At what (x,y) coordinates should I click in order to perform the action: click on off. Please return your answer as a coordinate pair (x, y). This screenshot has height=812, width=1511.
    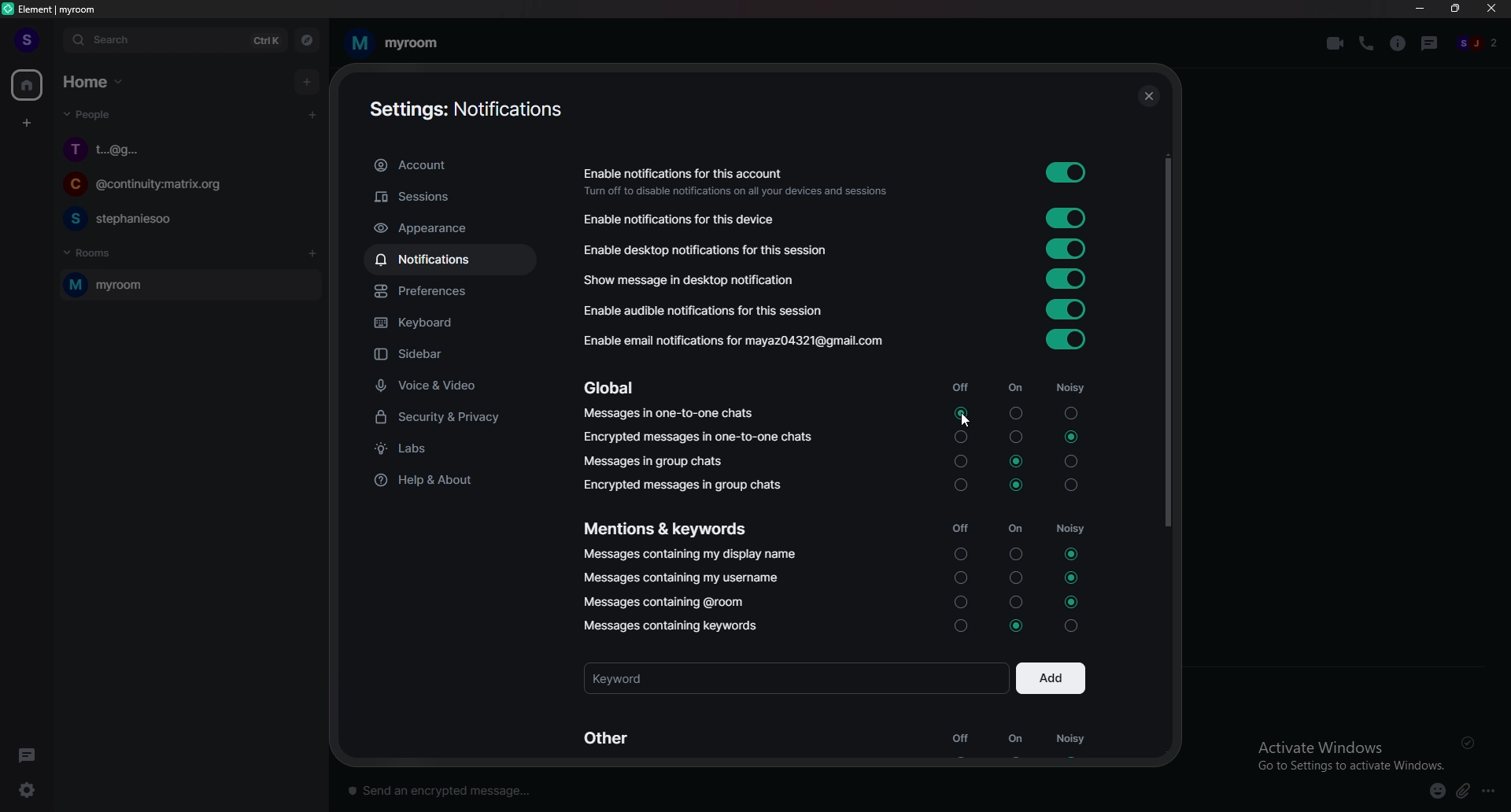
    Looking at the image, I should click on (959, 739).